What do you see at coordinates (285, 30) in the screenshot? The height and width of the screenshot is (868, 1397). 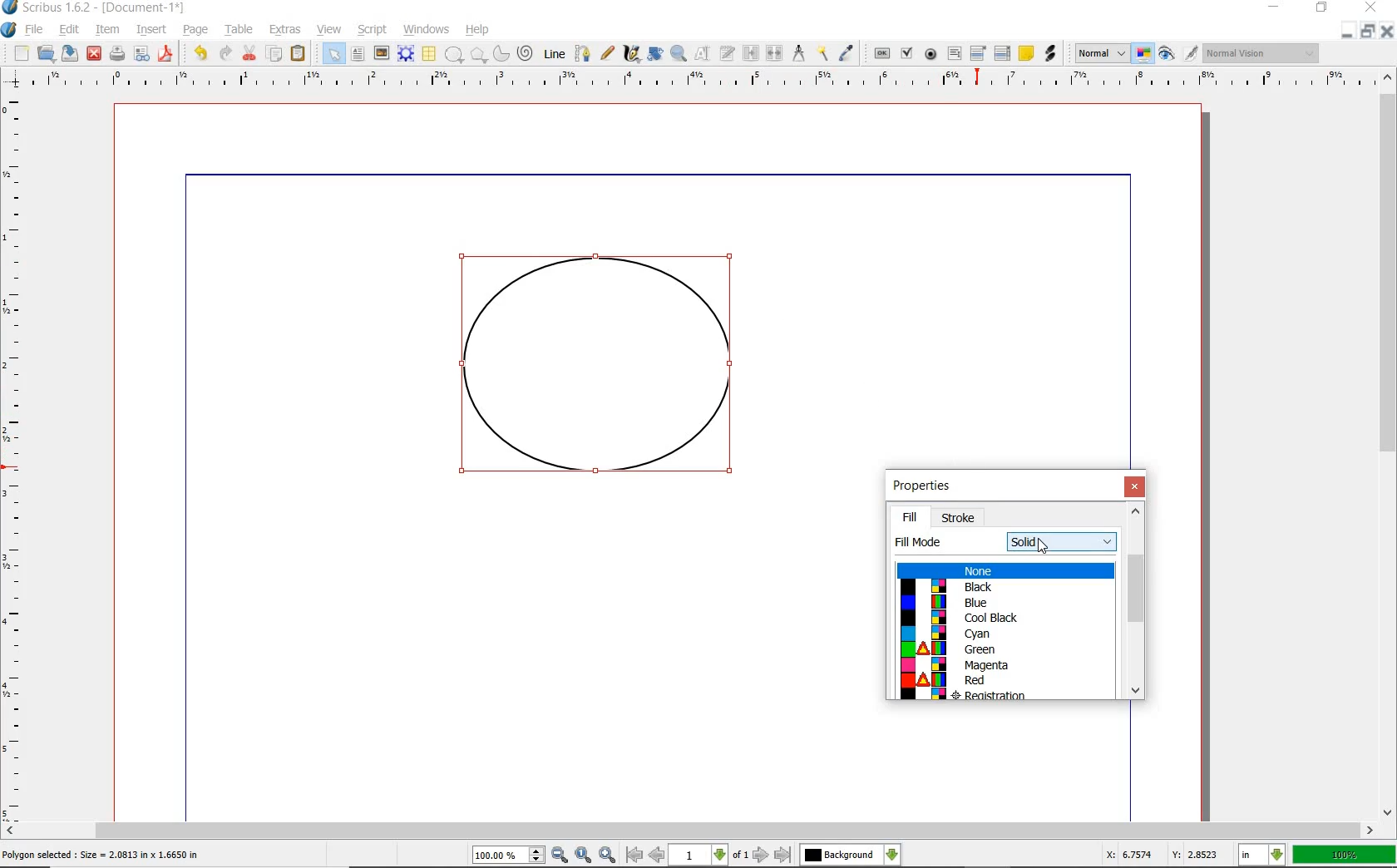 I see `EXTRAS` at bounding box center [285, 30].